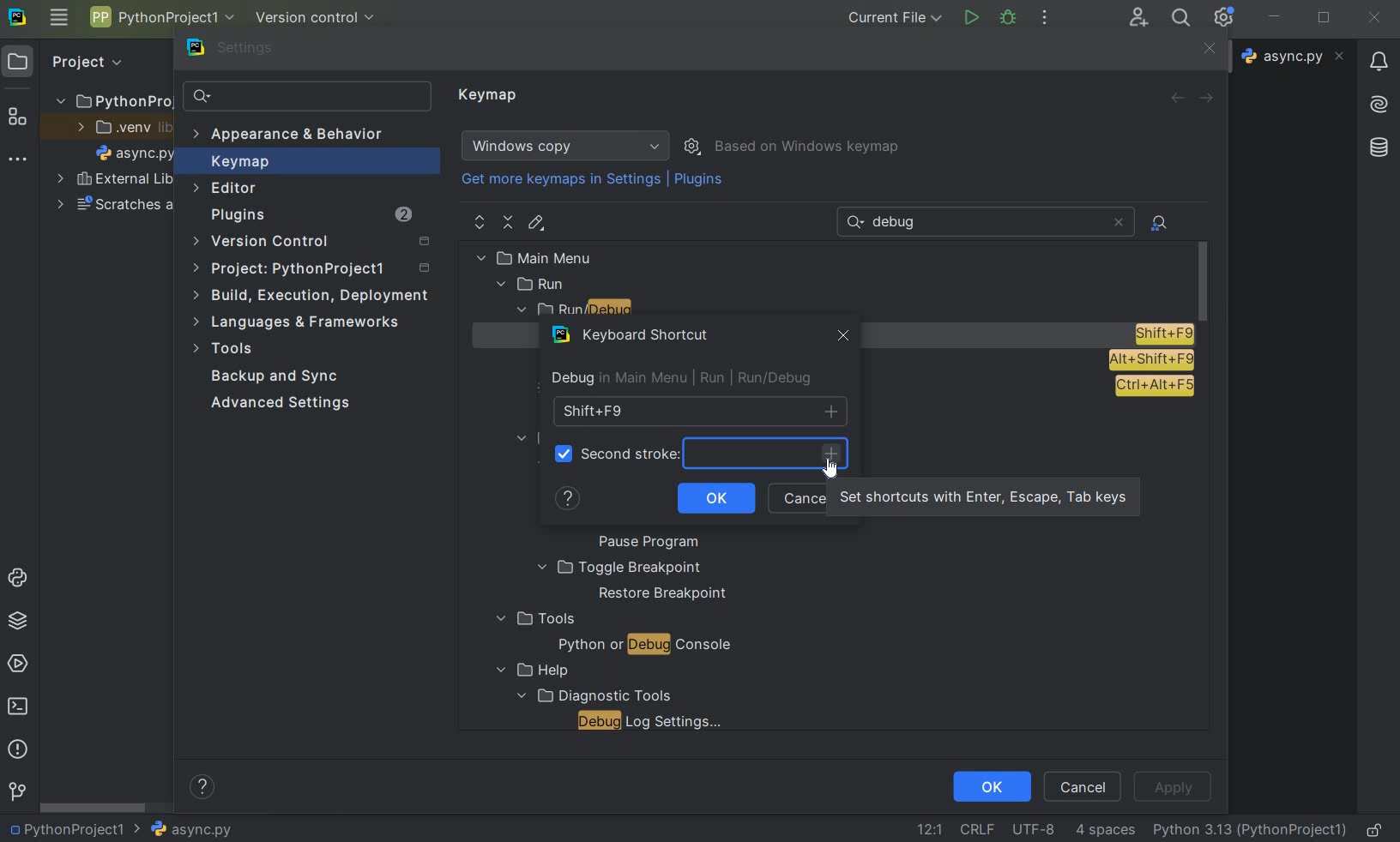 This screenshot has width=1400, height=842. Describe the element at coordinates (715, 499) in the screenshot. I see `ok` at that location.